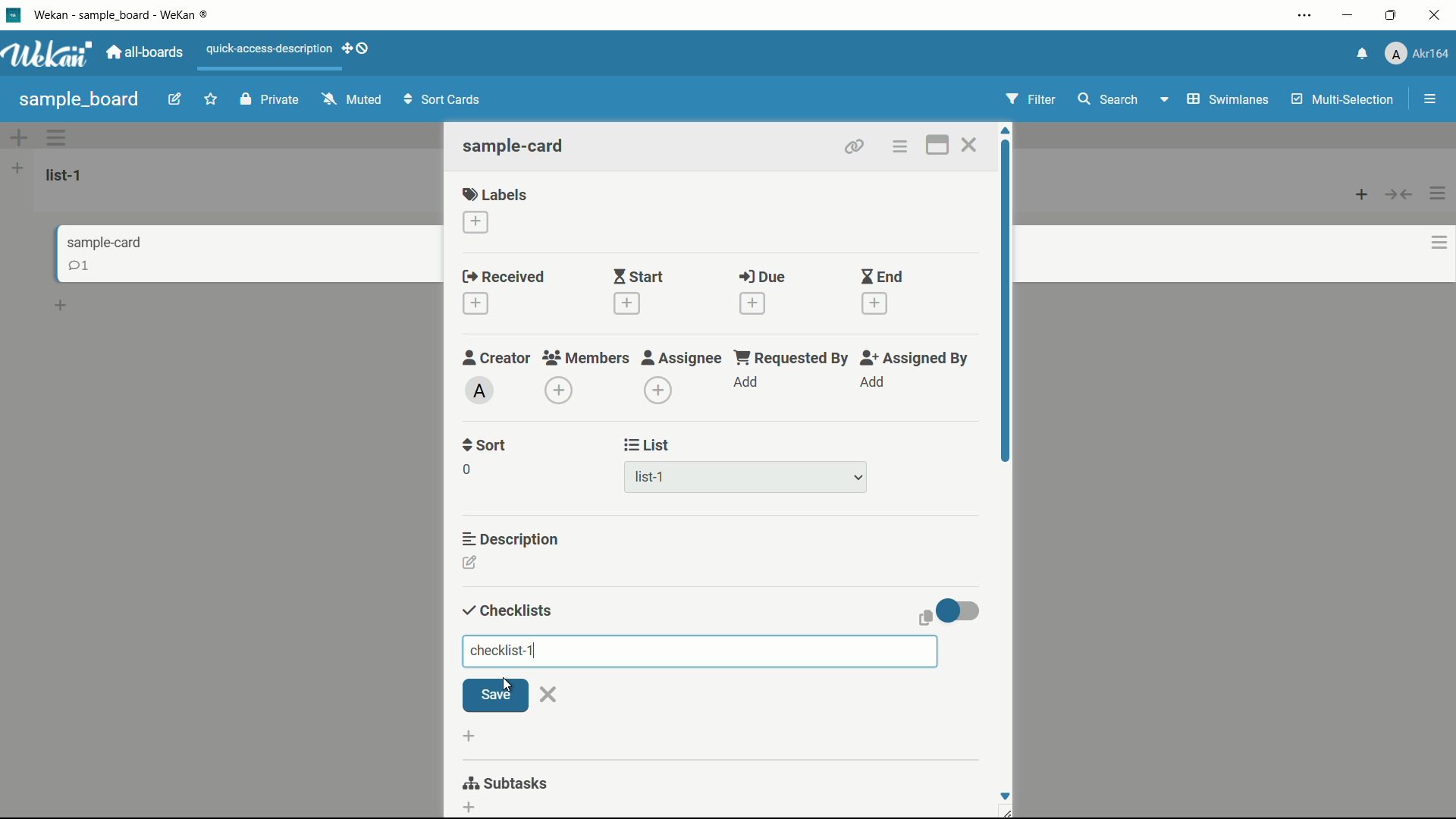 The image size is (1456, 819). I want to click on sample-card, so click(515, 146).